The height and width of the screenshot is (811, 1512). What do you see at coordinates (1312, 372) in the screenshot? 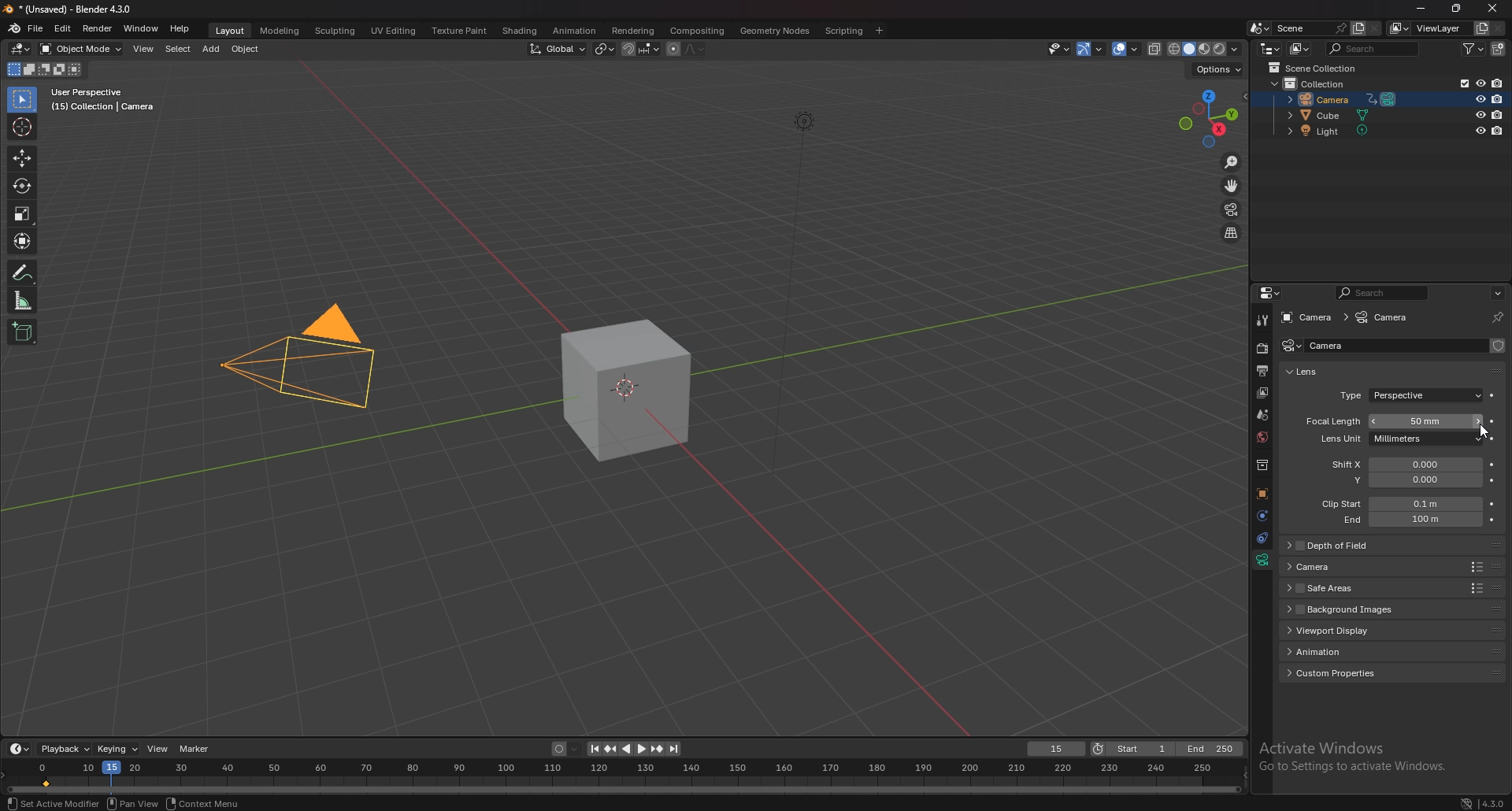
I see `lens` at bounding box center [1312, 372].